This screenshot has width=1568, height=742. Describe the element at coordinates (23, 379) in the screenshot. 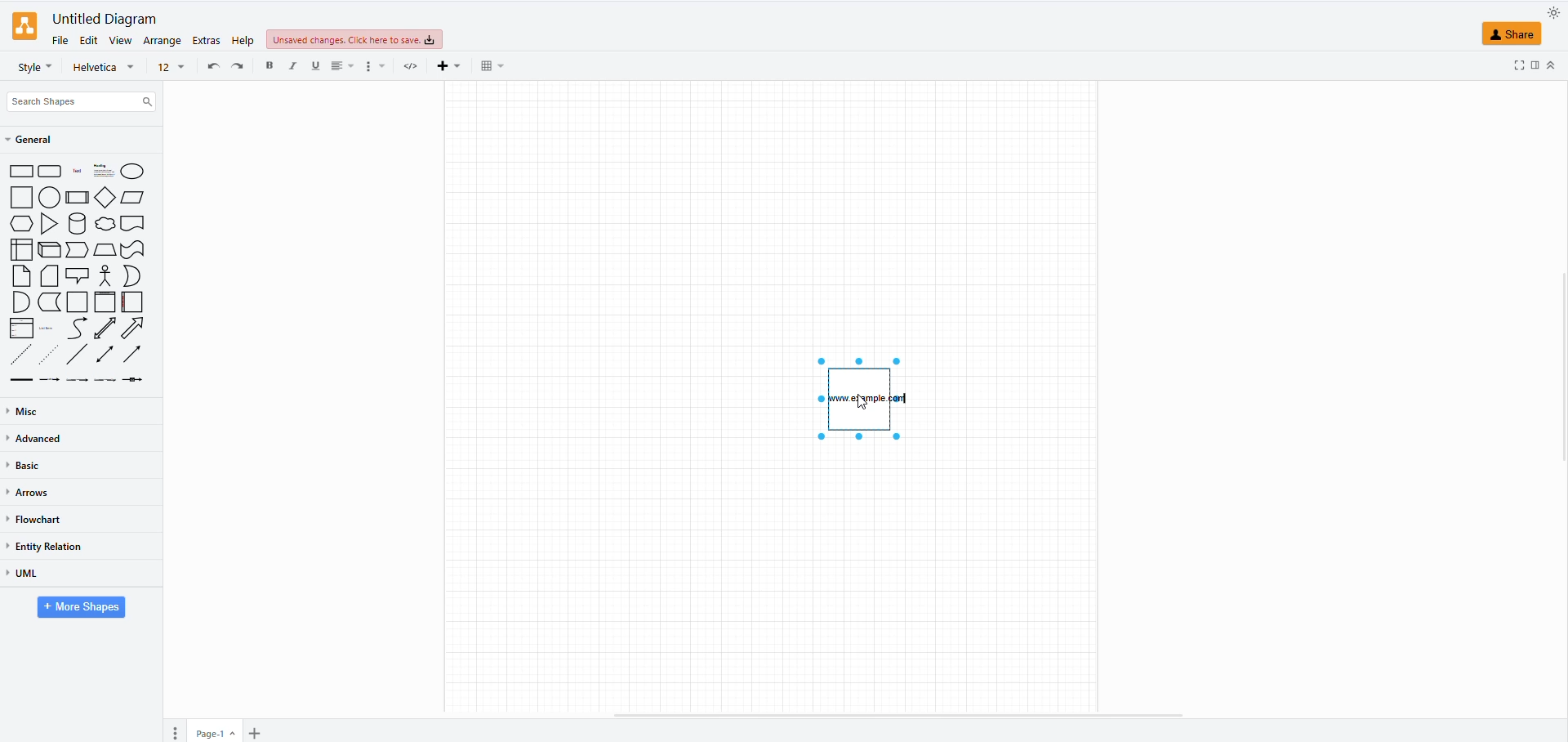

I see `link` at that location.